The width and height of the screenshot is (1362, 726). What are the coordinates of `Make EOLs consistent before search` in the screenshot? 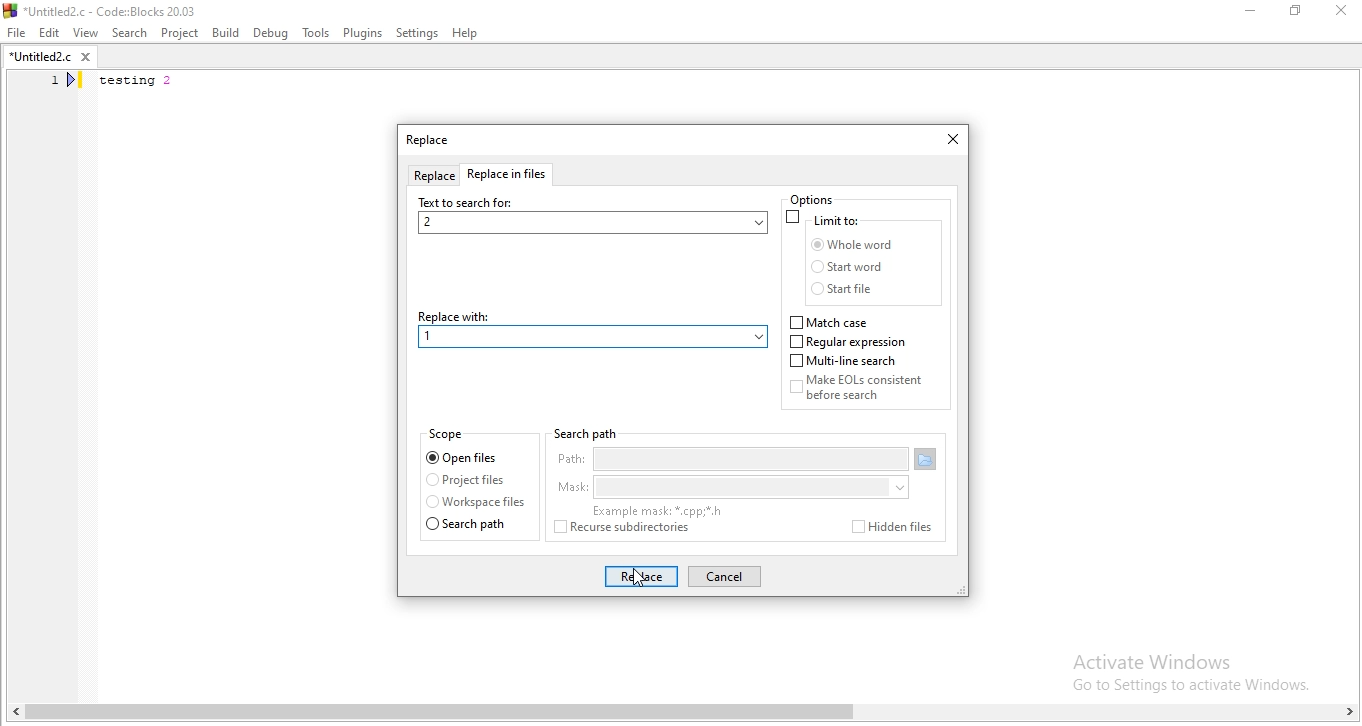 It's located at (870, 392).